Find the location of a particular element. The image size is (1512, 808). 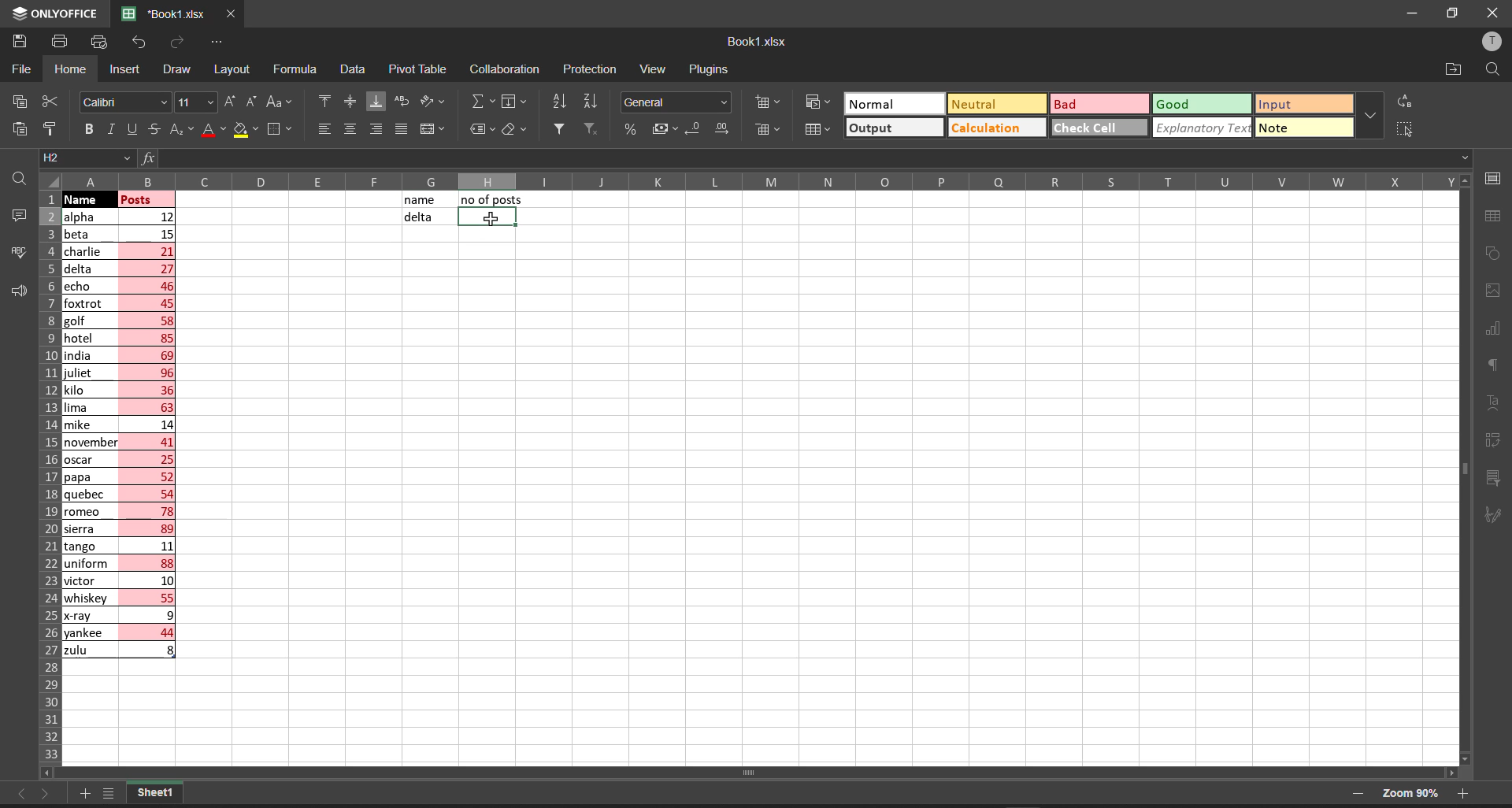

pivot table is located at coordinates (418, 67).